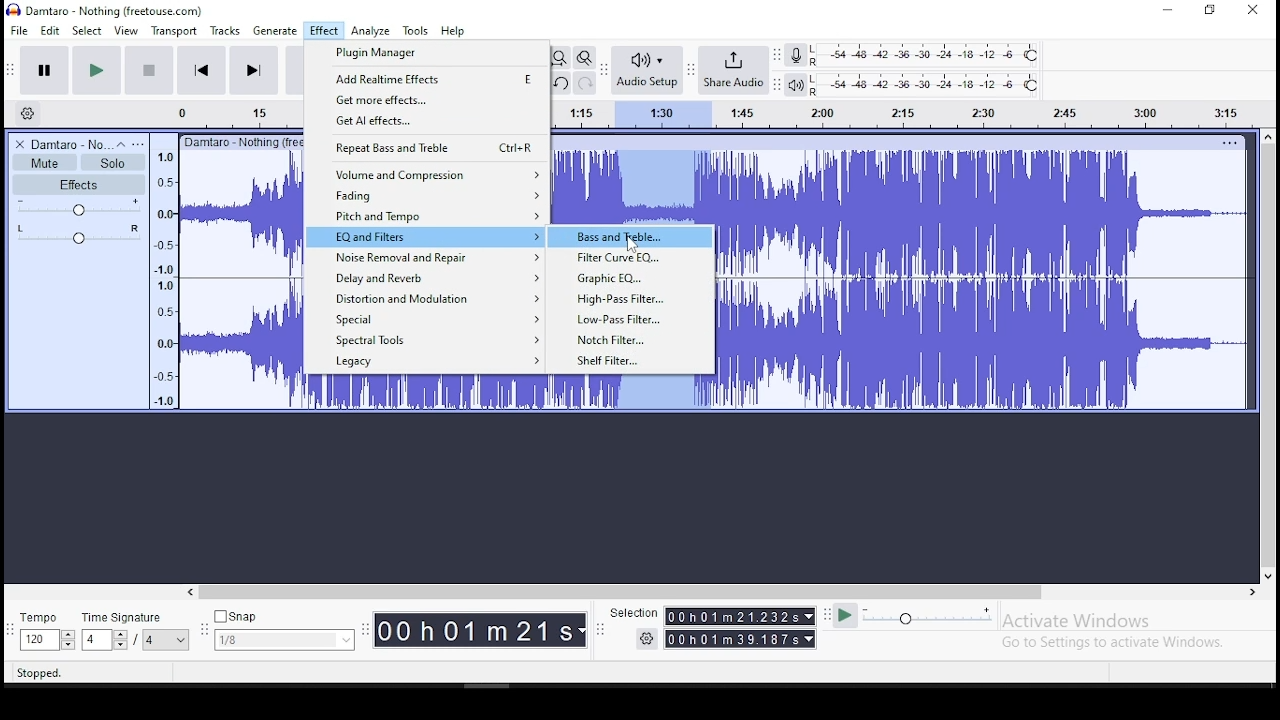 Image resolution: width=1280 pixels, height=720 pixels. What do you see at coordinates (182, 640) in the screenshot?
I see `drop down` at bounding box center [182, 640].